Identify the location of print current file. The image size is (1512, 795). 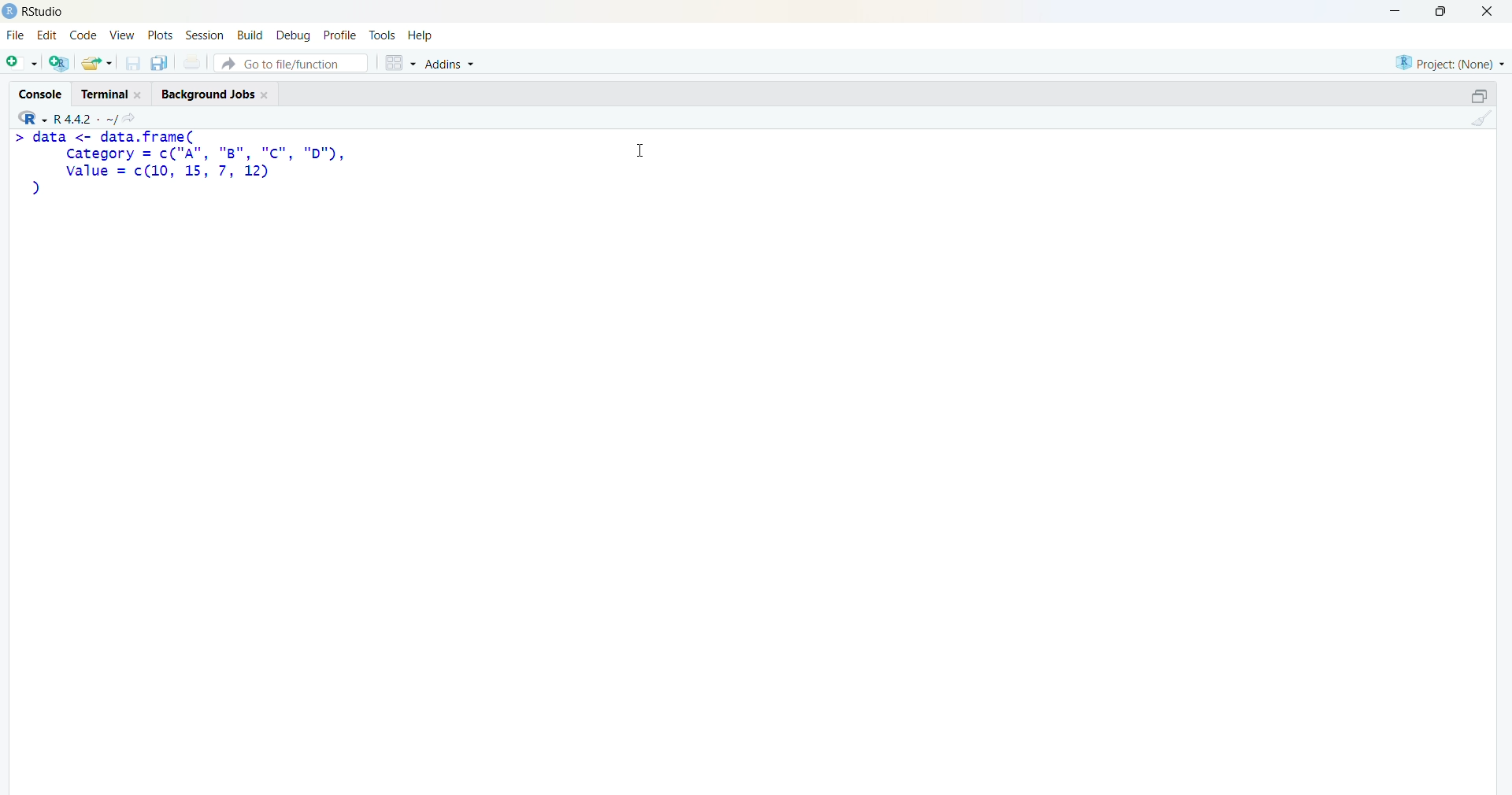
(190, 62).